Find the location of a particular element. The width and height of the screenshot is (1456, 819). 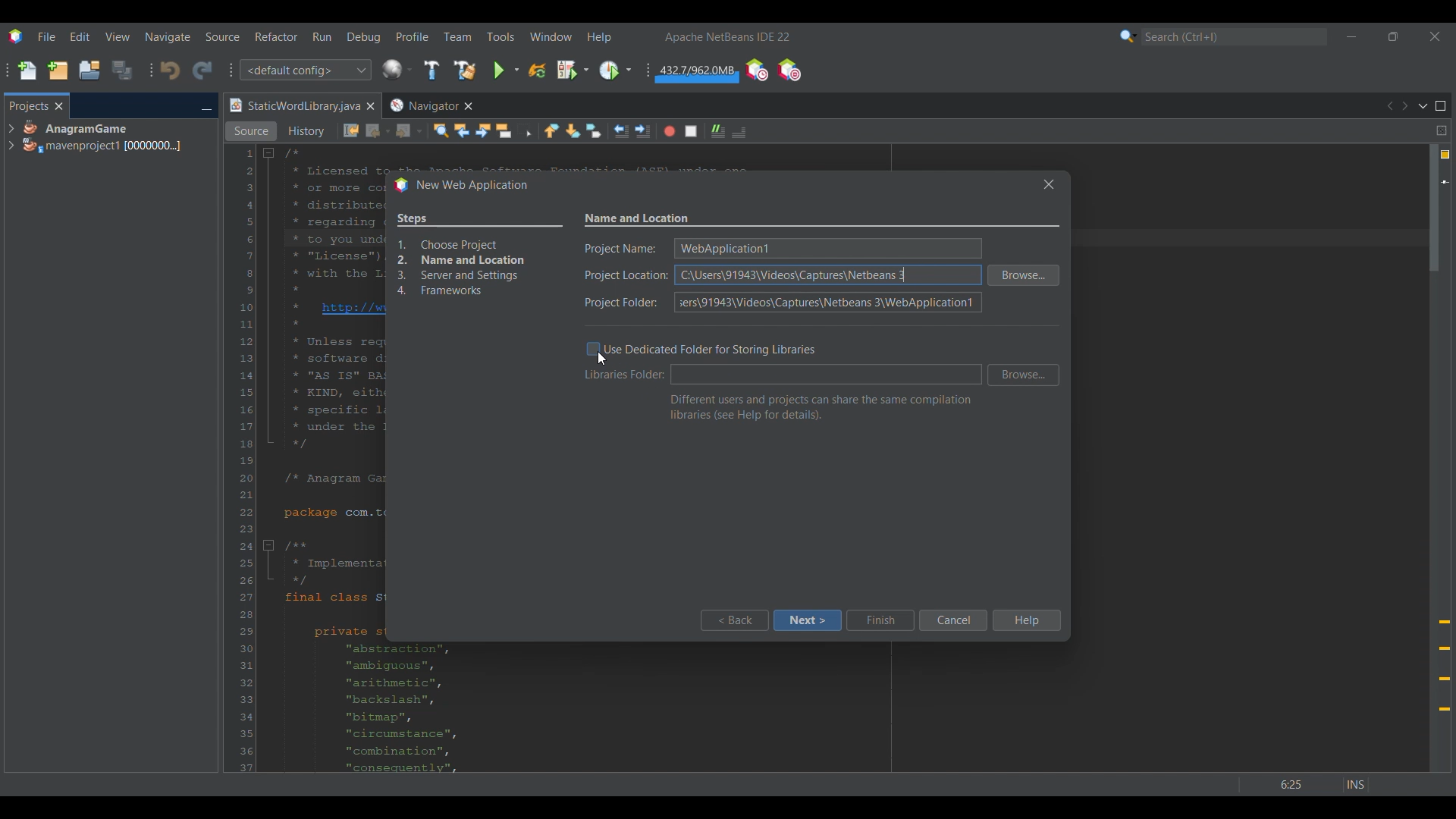

History view is located at coordinates (308, 131).